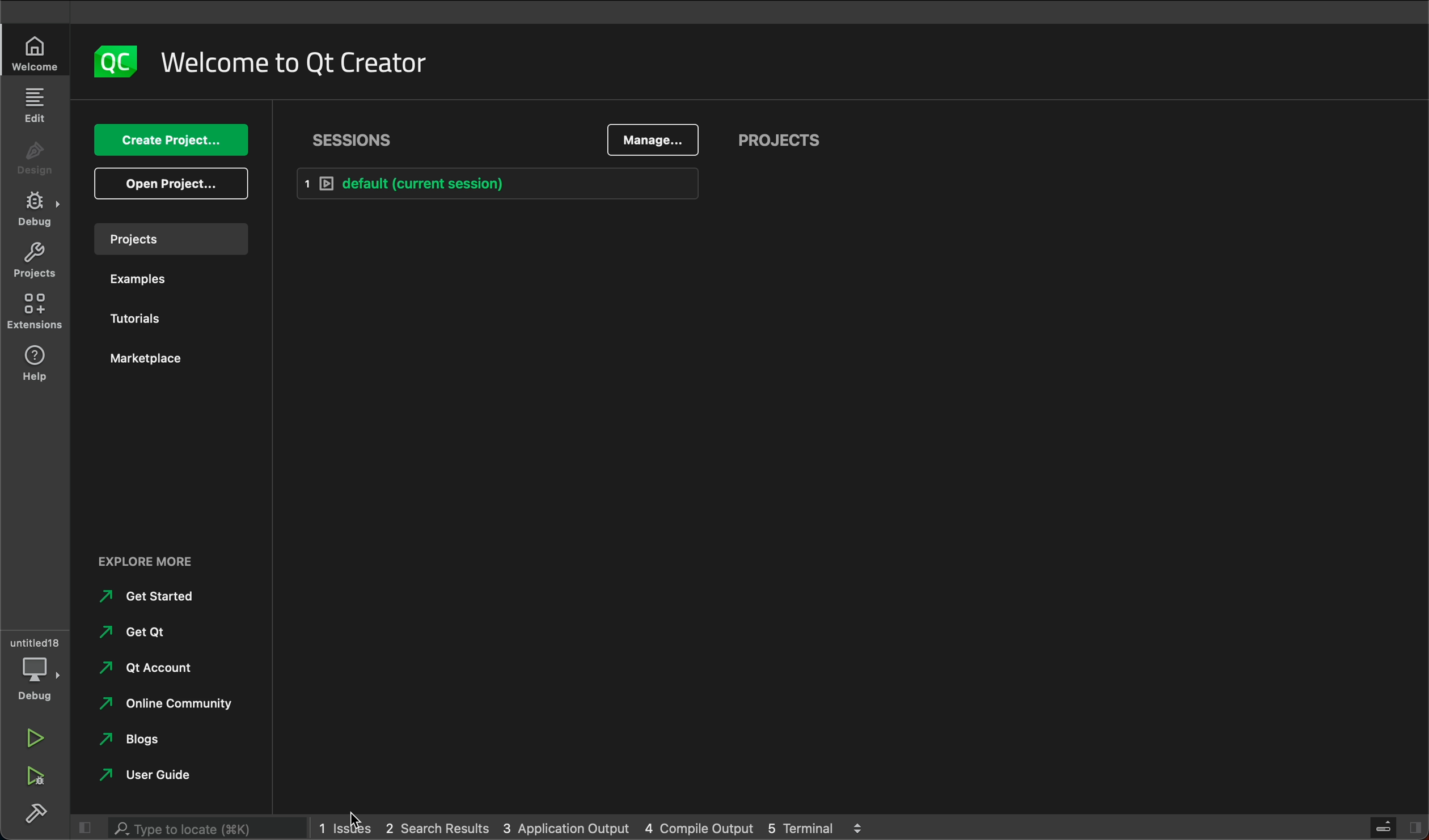 The width and height of the screenshot is (1429, 840). Describe the element at coordinates (297, 61) in the screenshot. I see `welcome to qt creator` at that location.